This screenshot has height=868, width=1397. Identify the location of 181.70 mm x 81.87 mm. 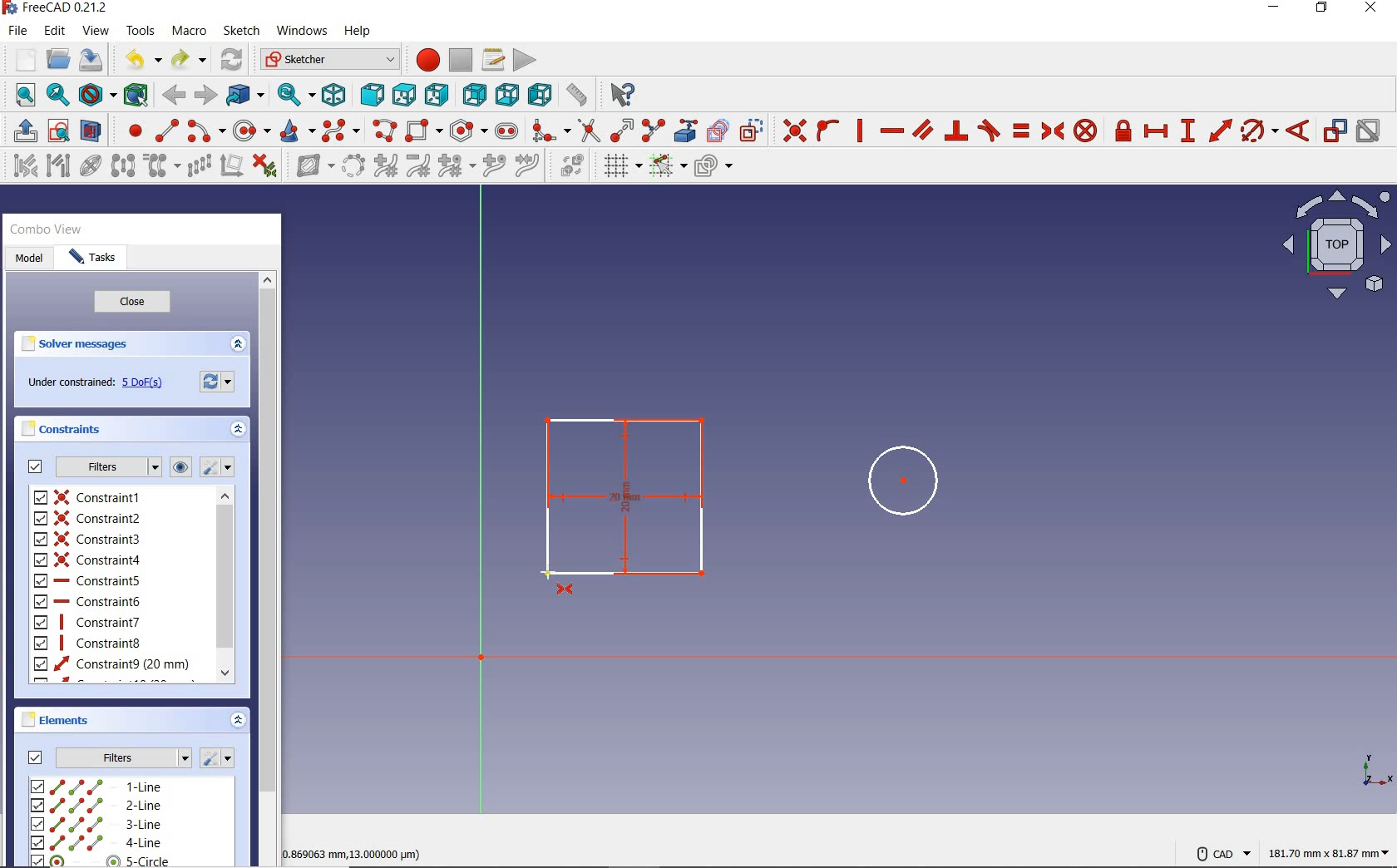
(1330, 855).